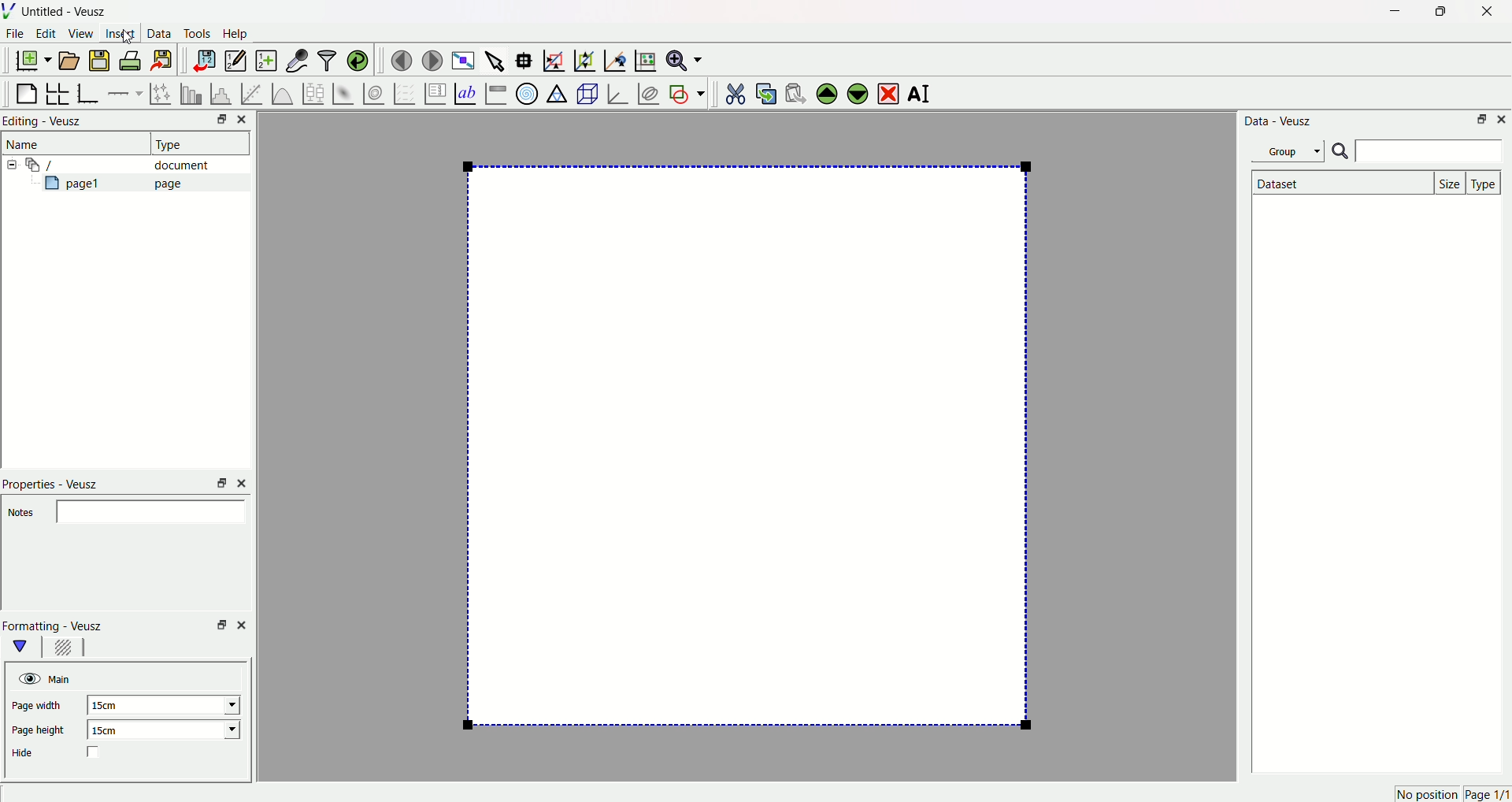 The width and height of the screenshot is (1512, 802). What do you see at coordinates (556, 91) in the screenshot?
I see `ternary graphs` at bounding box center [556, 91].